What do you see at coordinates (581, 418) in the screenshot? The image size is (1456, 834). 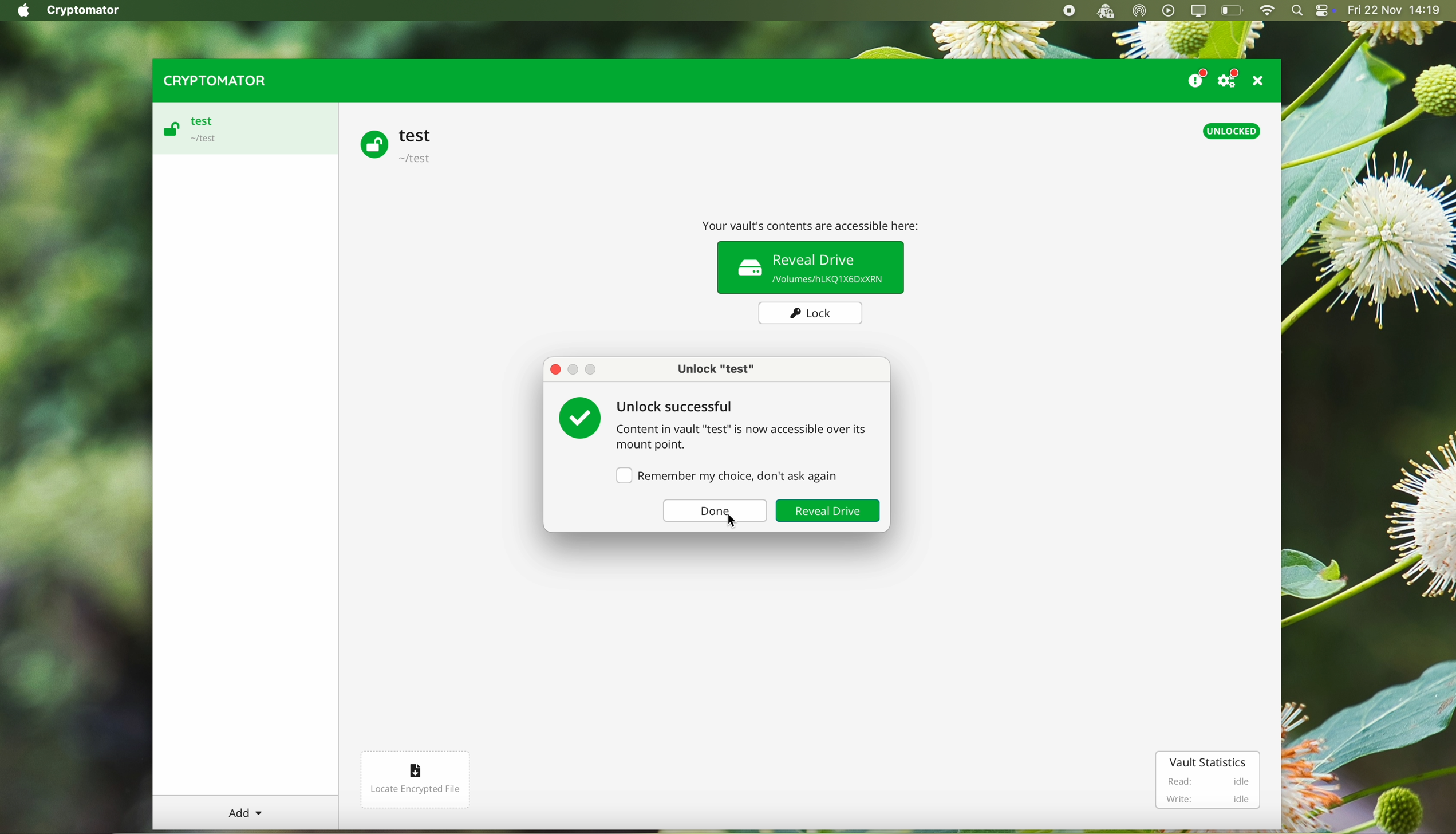 I see `tick green` at bounding box center [581, 418].